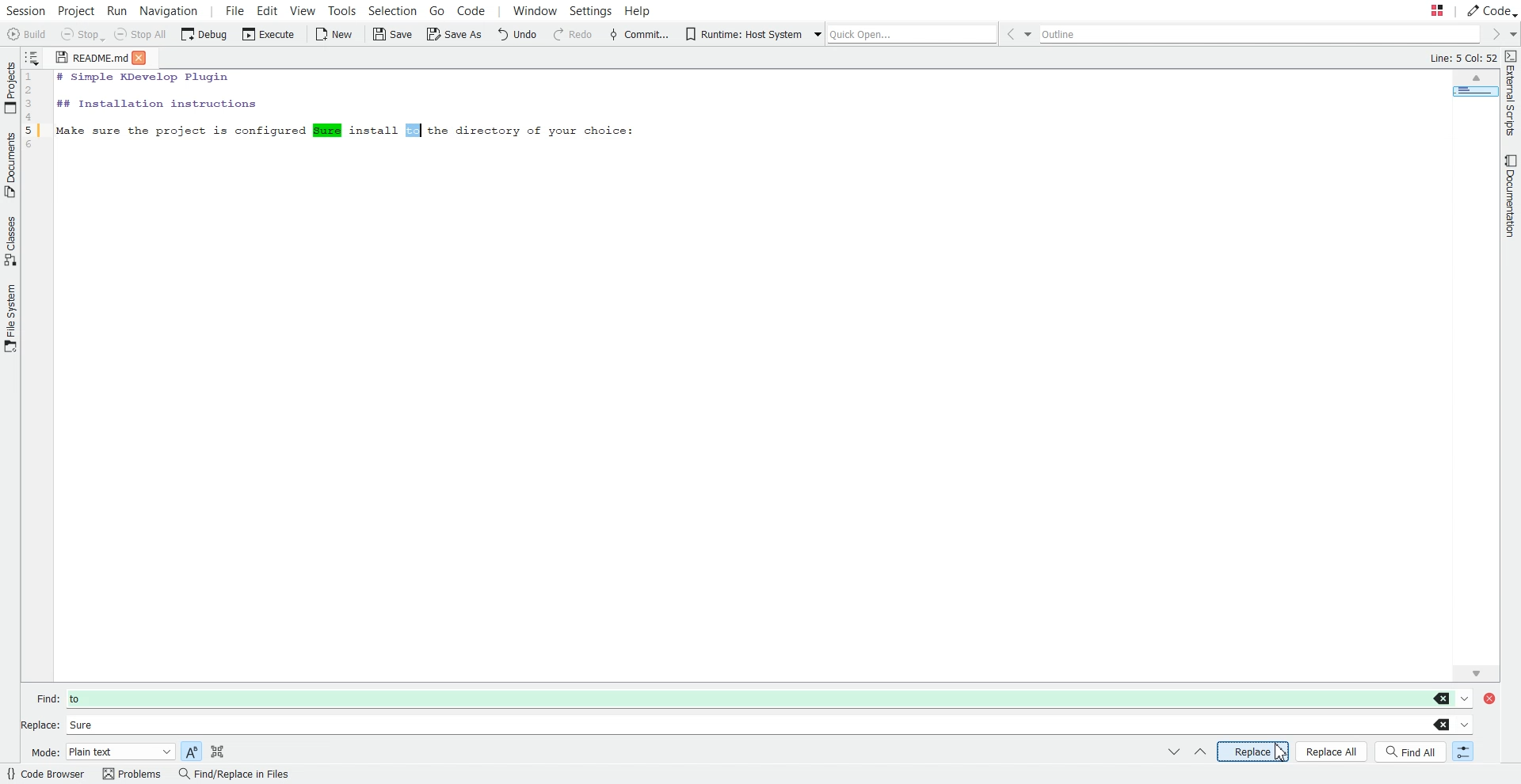 The image size is (1521, 784). I want to click on Find/Replace in Files, so click(233, 774).